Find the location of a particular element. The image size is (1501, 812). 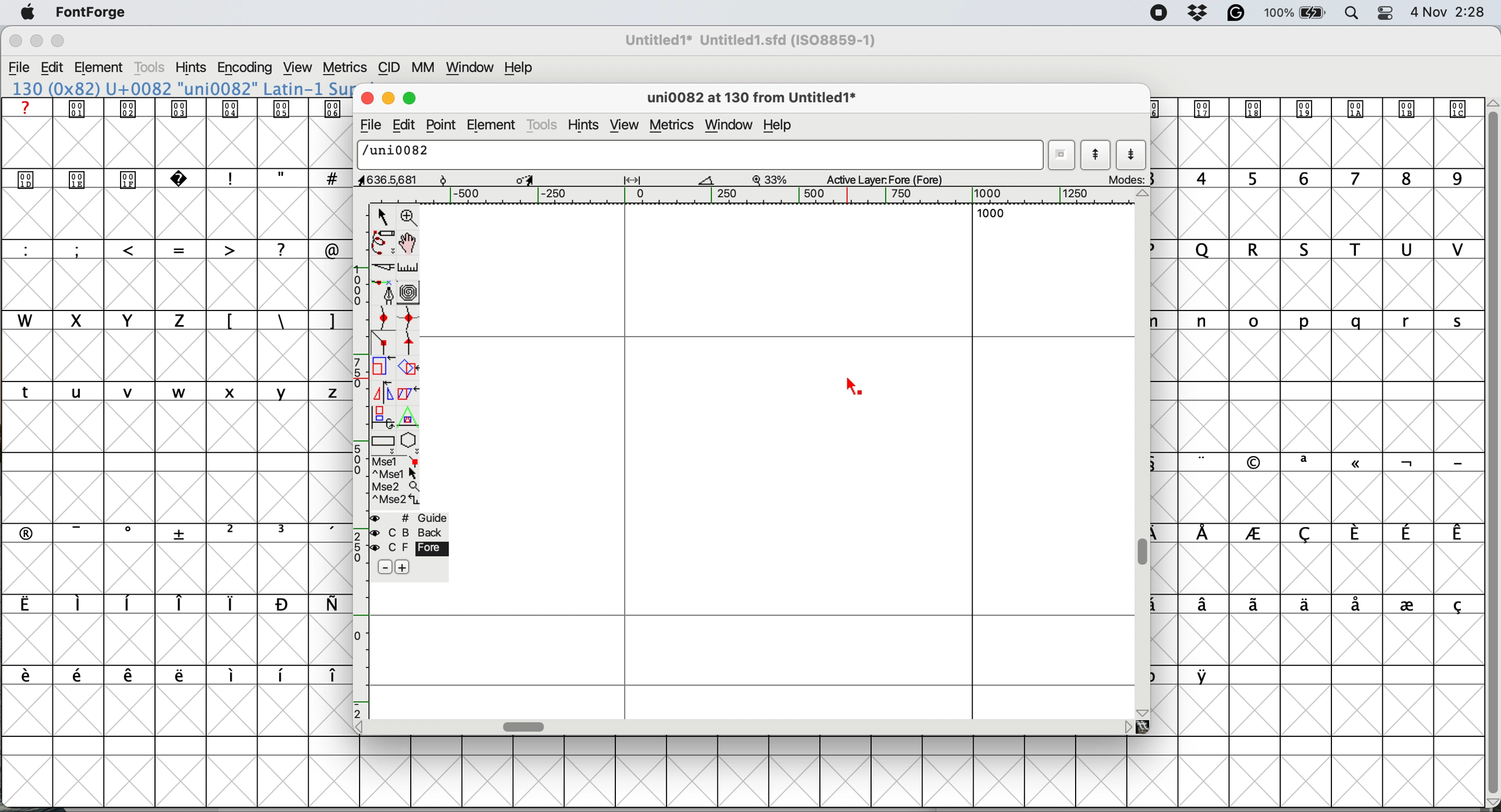

symbol is located at coordinates (1206, 675).